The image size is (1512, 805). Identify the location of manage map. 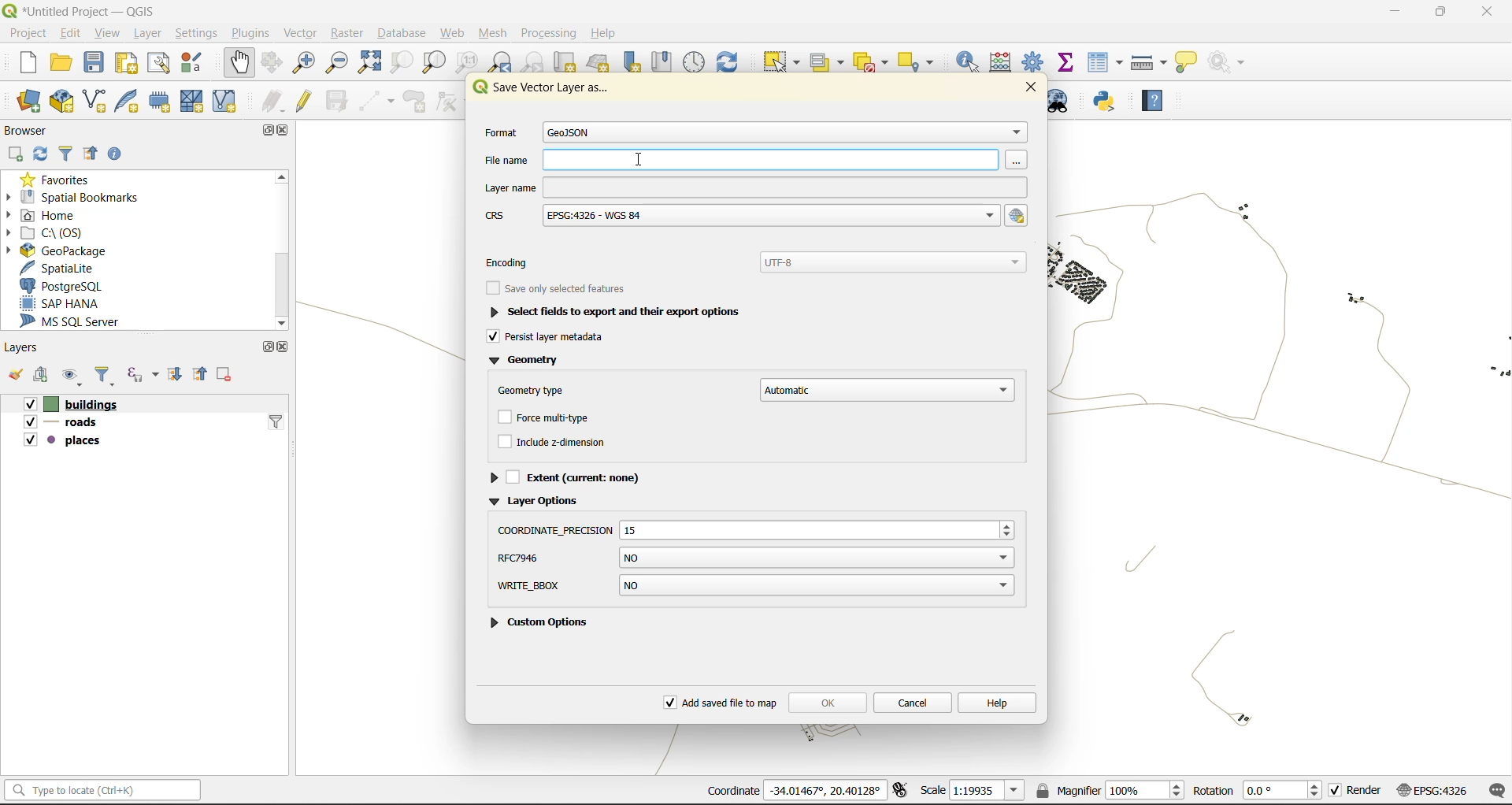
(69, 377).